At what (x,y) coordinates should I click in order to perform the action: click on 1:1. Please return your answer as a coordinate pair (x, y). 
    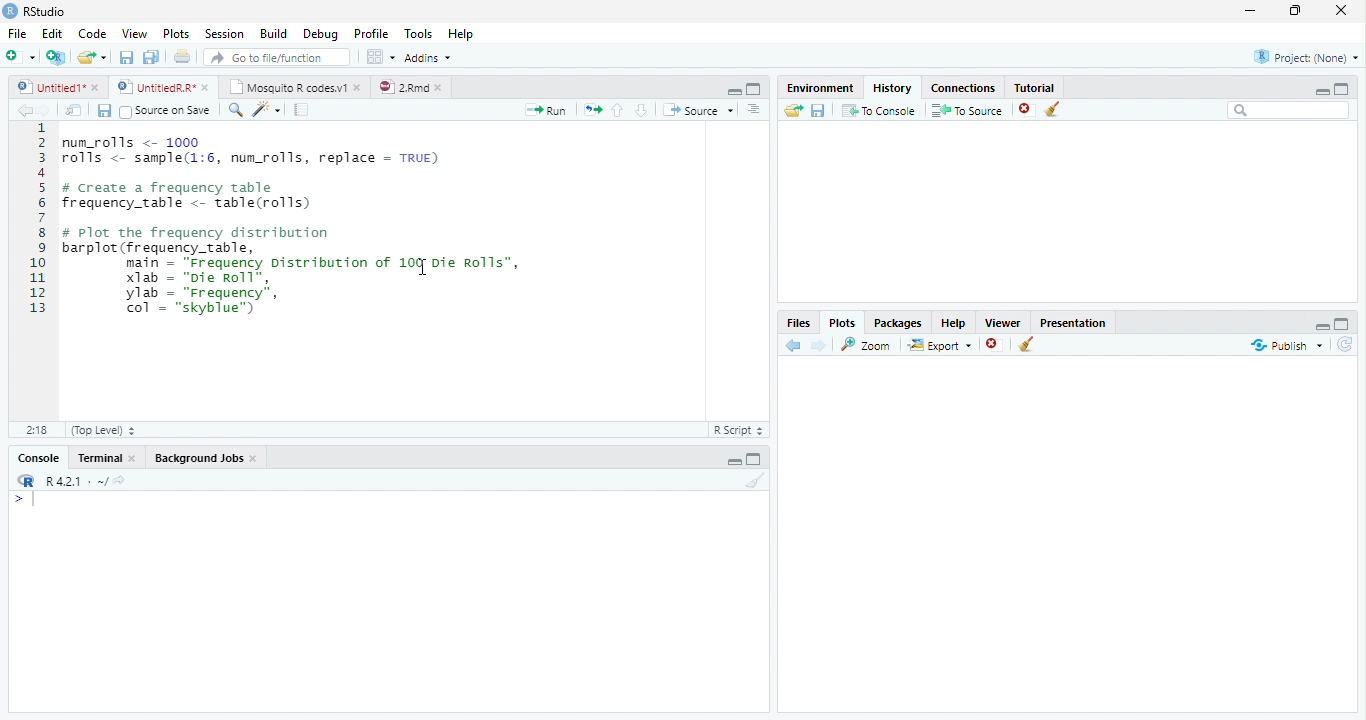
    Looking at the image, I should click on (35, 430).